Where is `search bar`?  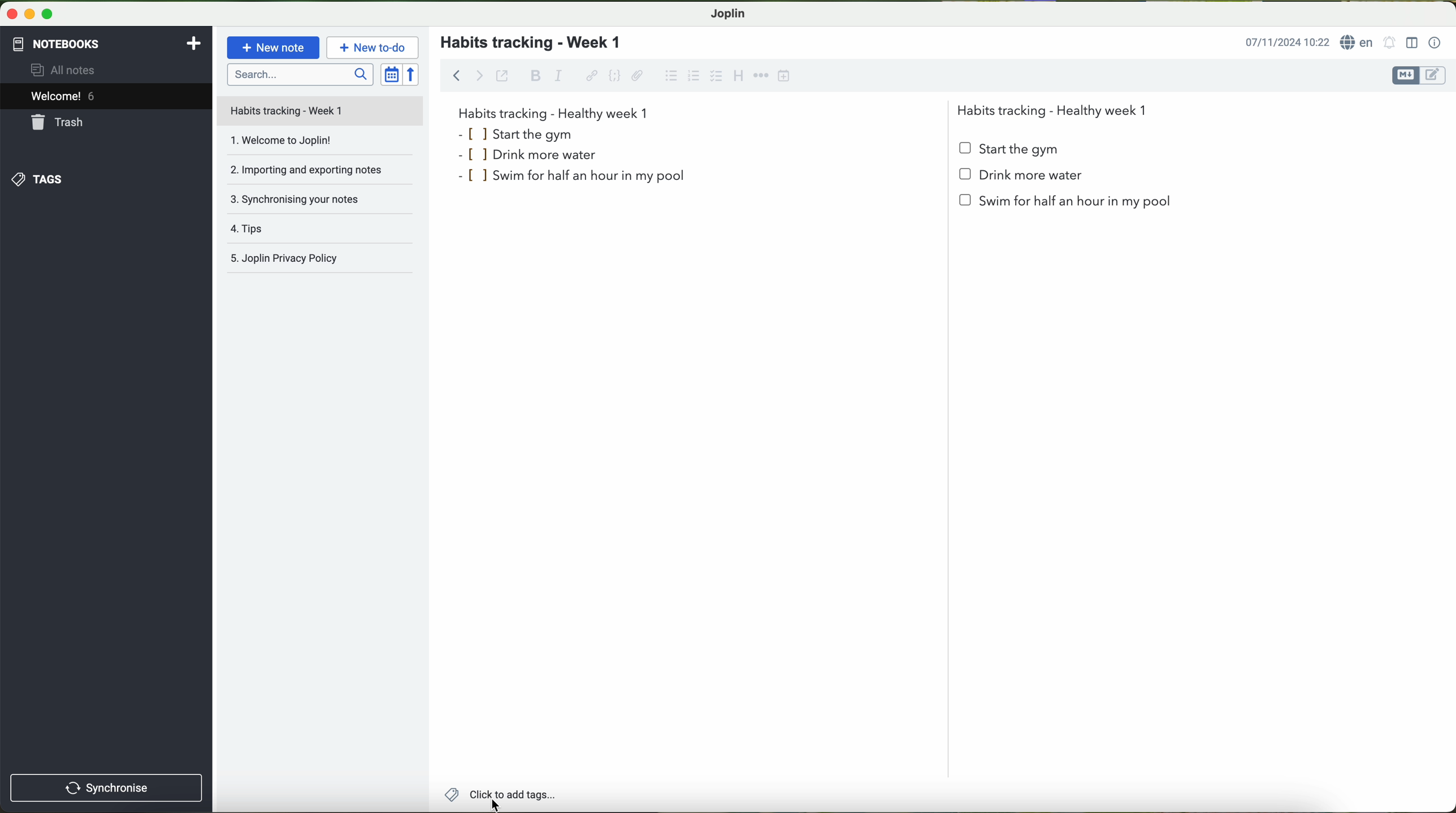 search bar is located at coordinates (299, 74).